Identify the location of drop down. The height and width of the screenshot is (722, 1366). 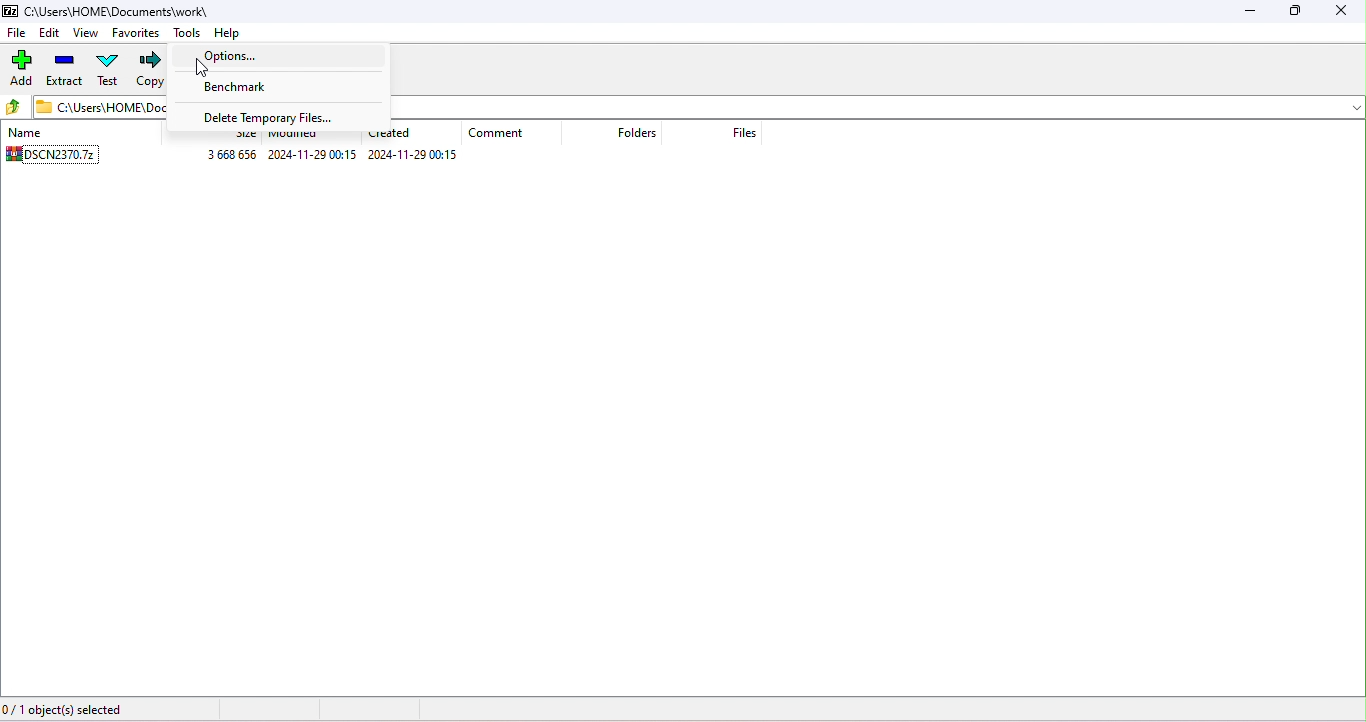
(1351, 107).